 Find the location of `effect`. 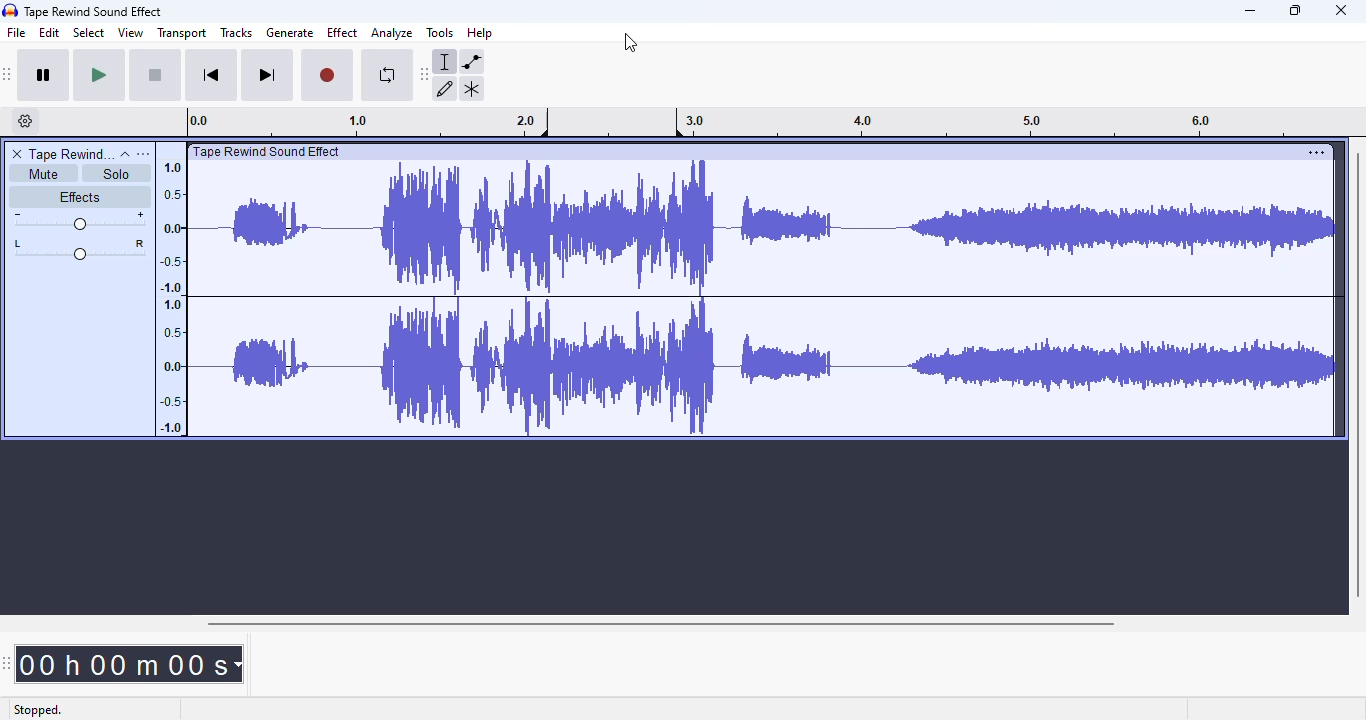

effect is located at coordinates (342, 33).